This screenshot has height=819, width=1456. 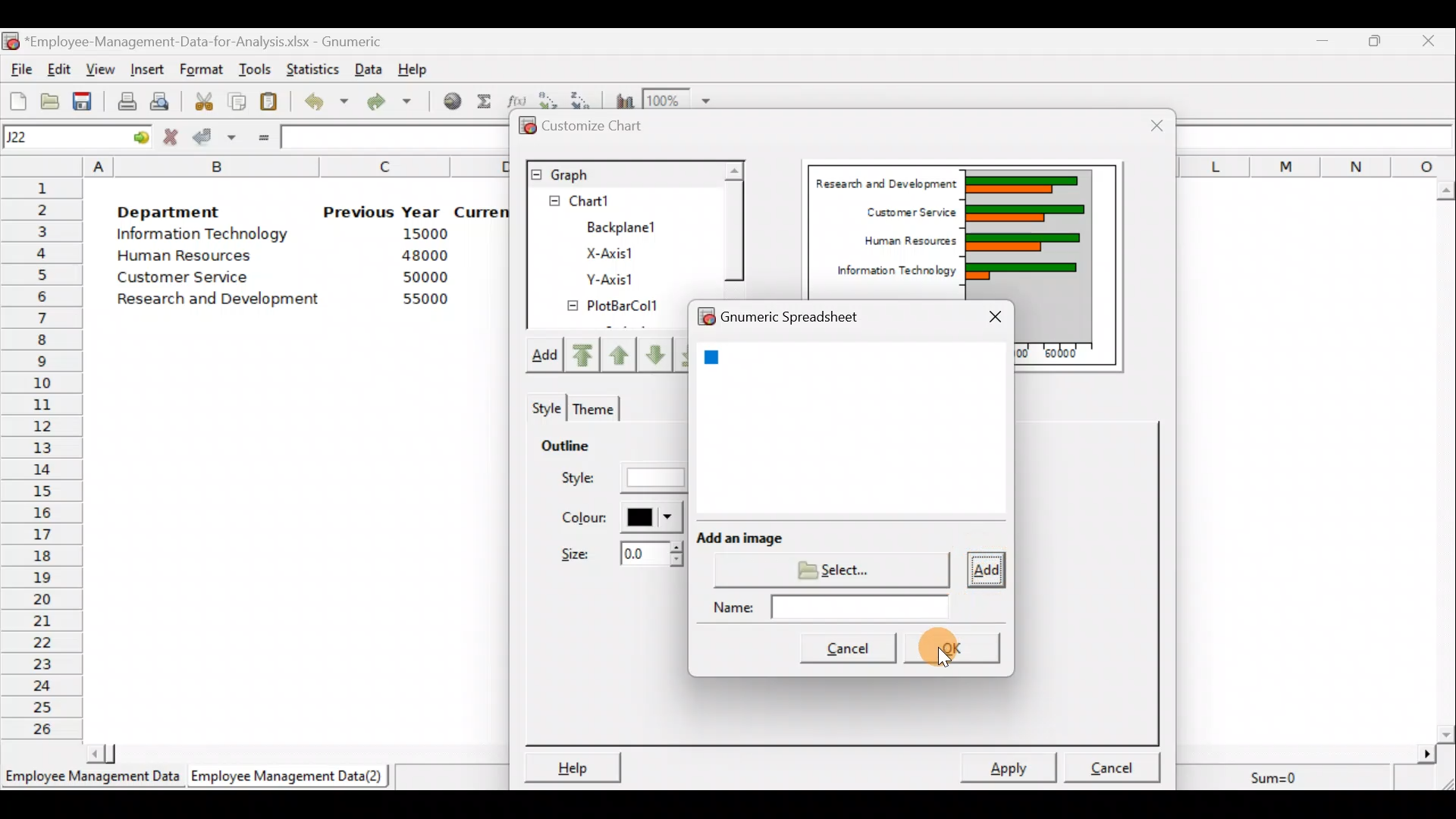 I want to click on Insert, so click(x=150, y=67).